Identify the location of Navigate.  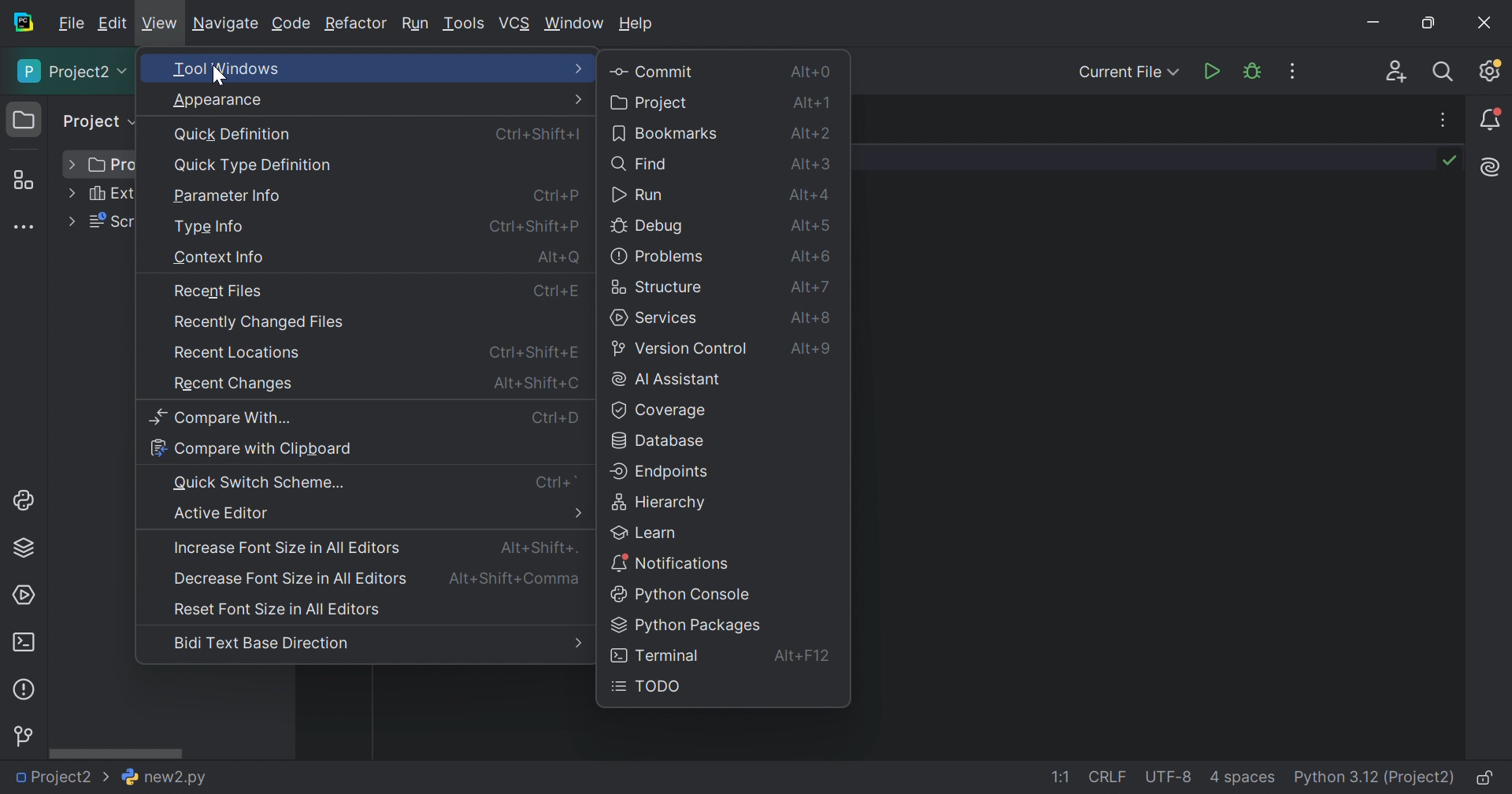
(227, 25).